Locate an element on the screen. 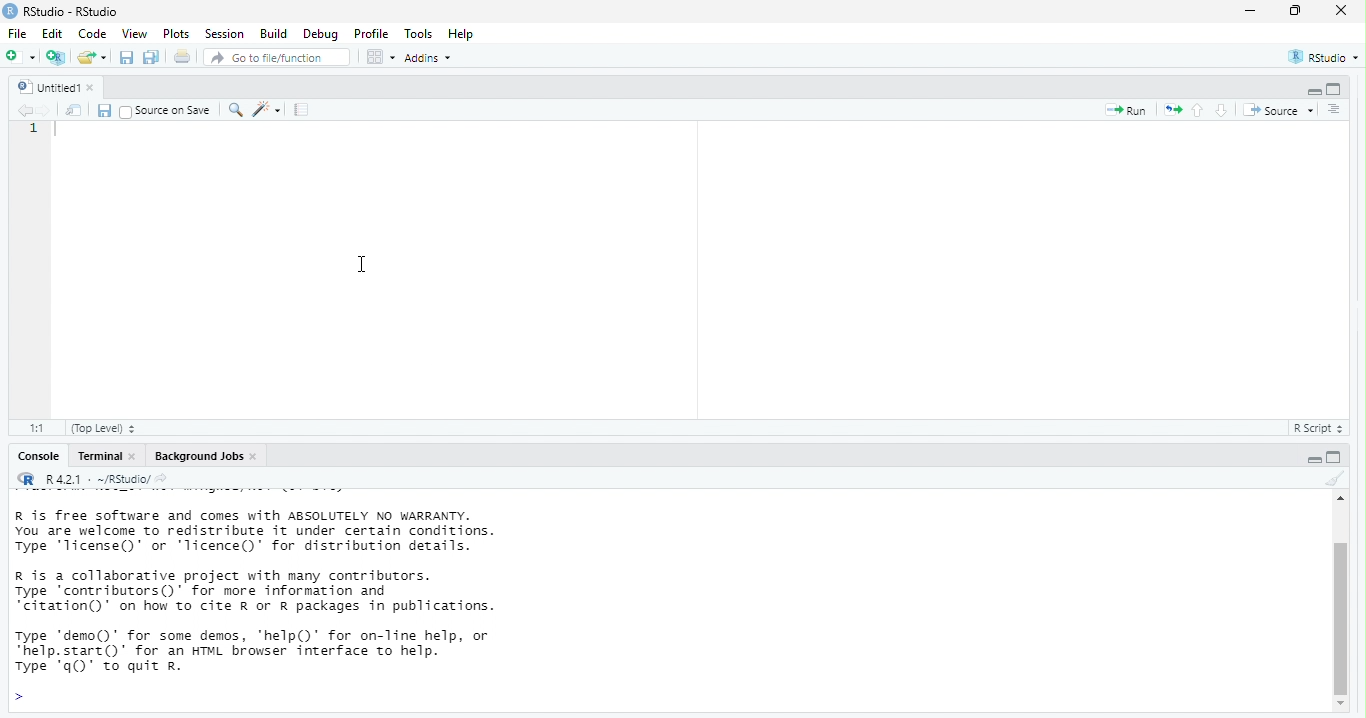  move up is located at coordinates (1342, 495).